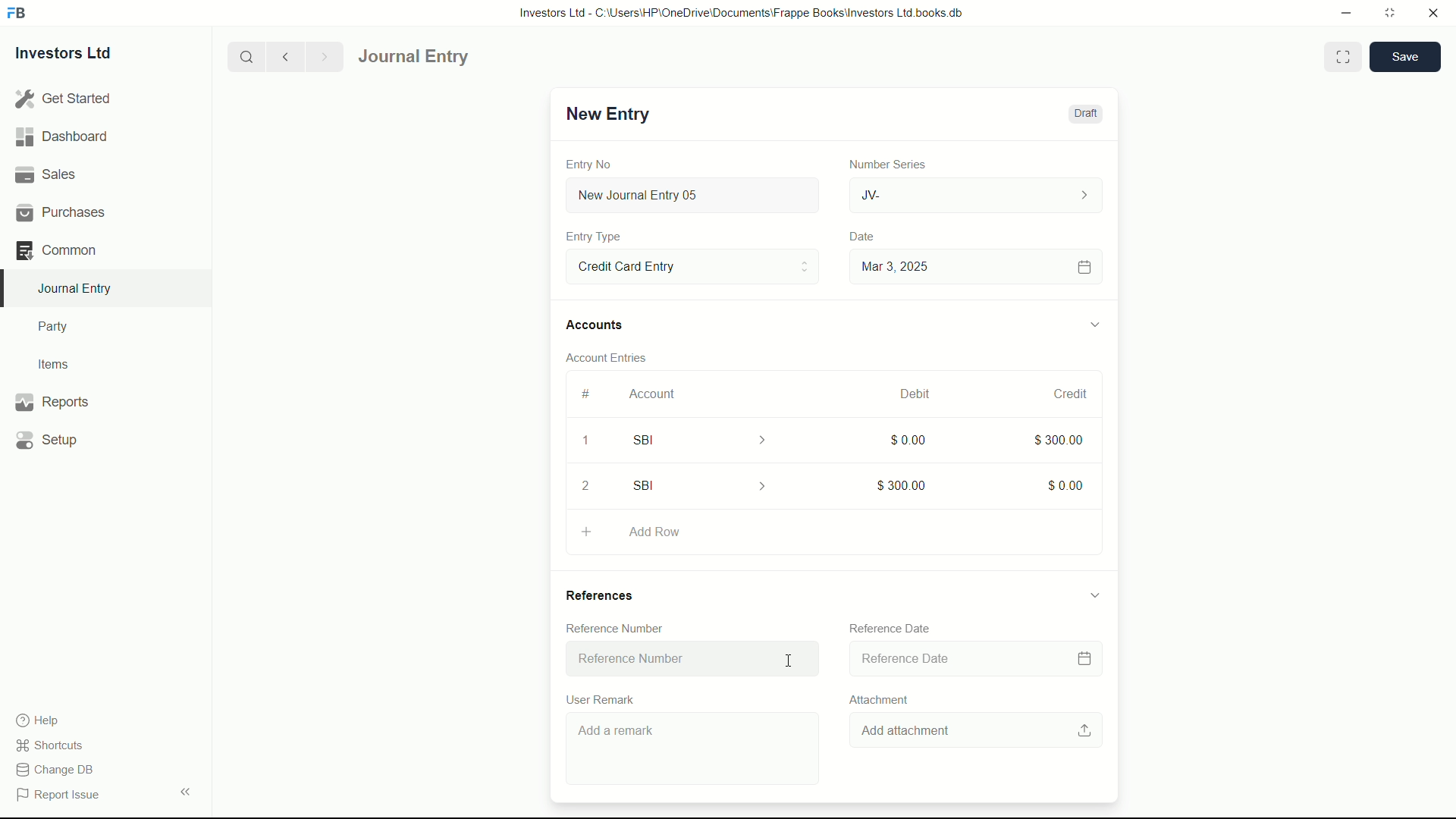  I want to click on Reference Number, so click(625, 628).